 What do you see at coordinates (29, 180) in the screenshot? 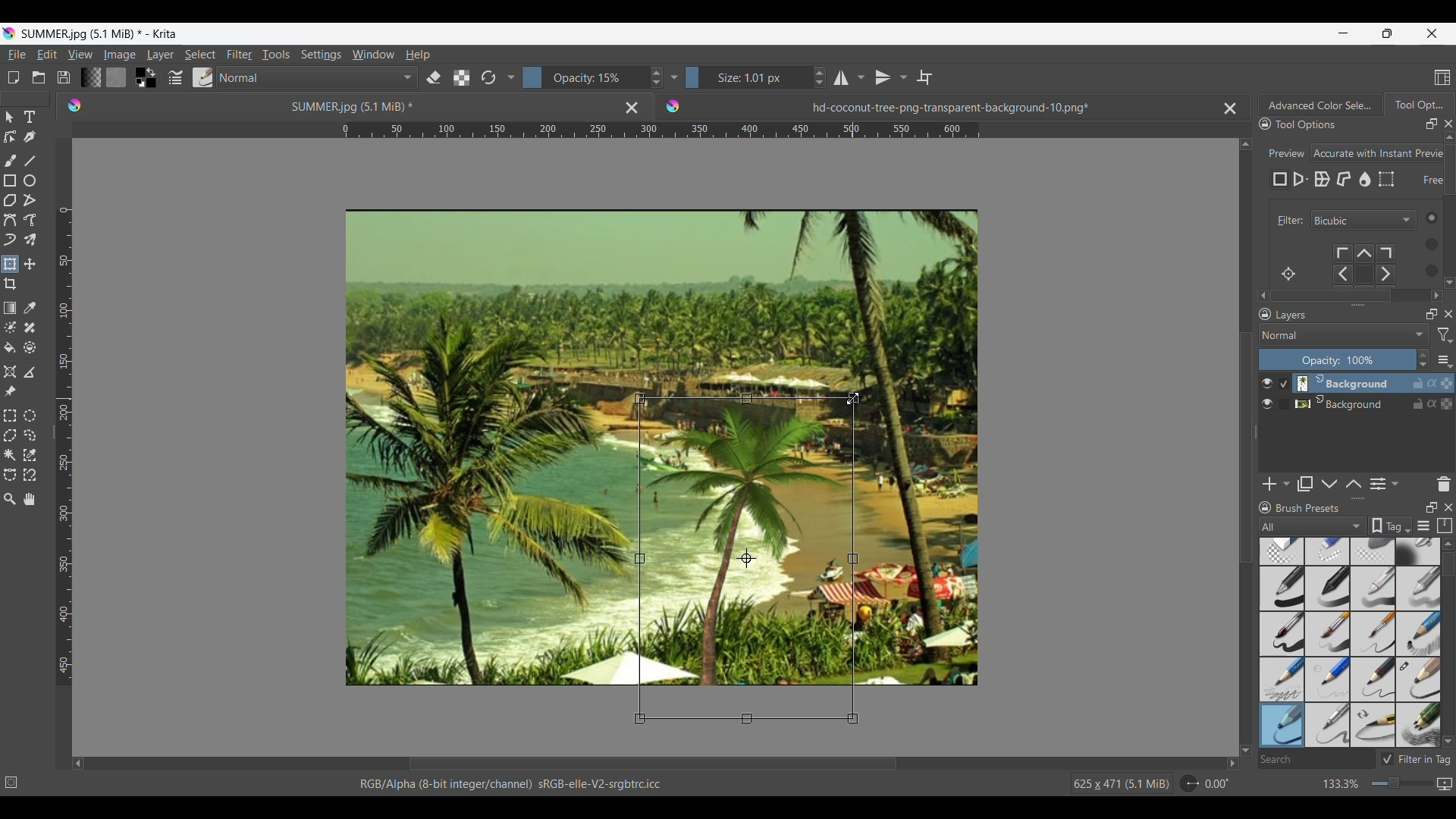
I see `Ellipse tool` at bounding box center [29, 180].